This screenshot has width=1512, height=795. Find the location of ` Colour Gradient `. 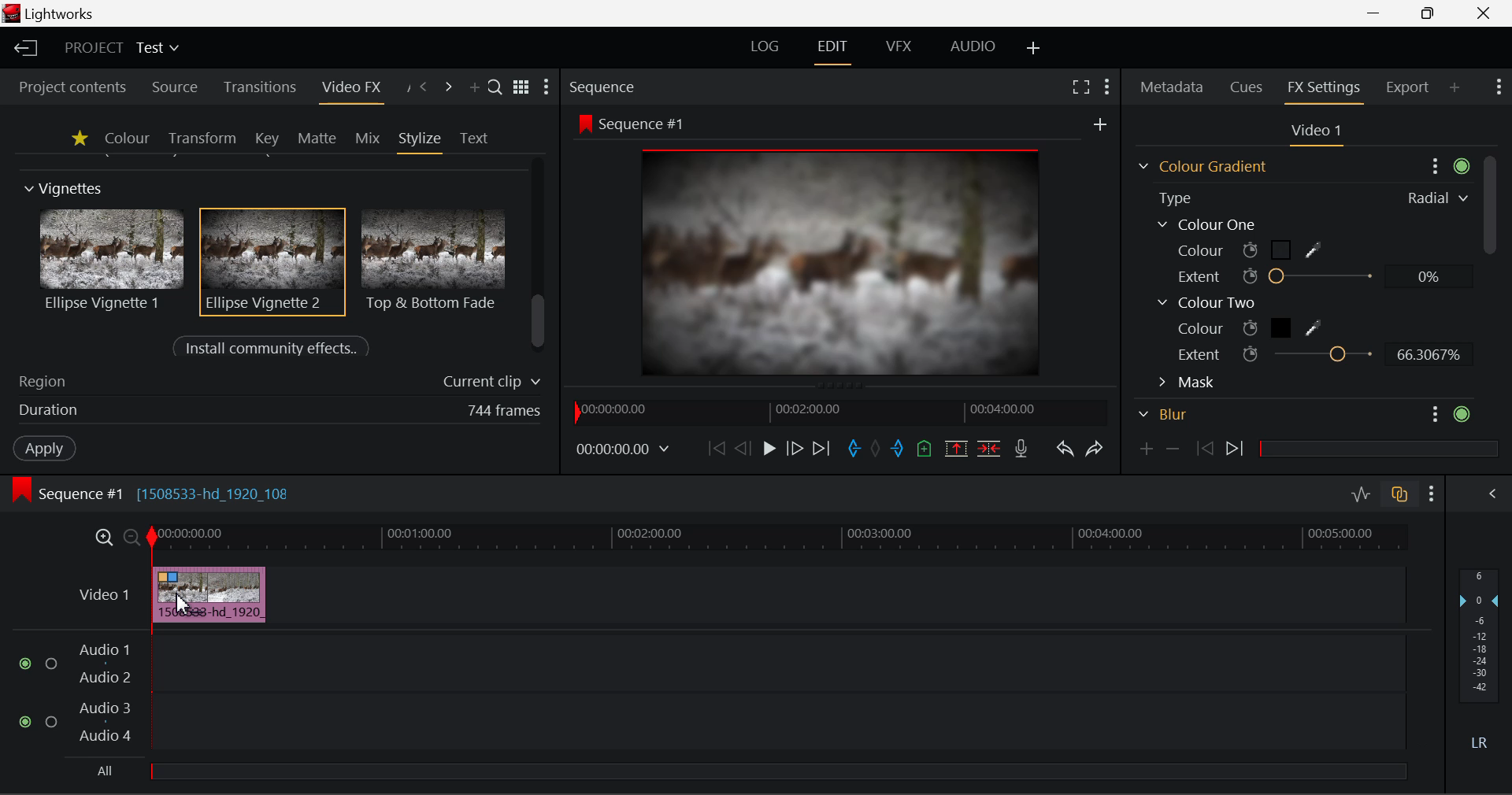

 Colour Gradient  is located at coordinates (1298, 165).